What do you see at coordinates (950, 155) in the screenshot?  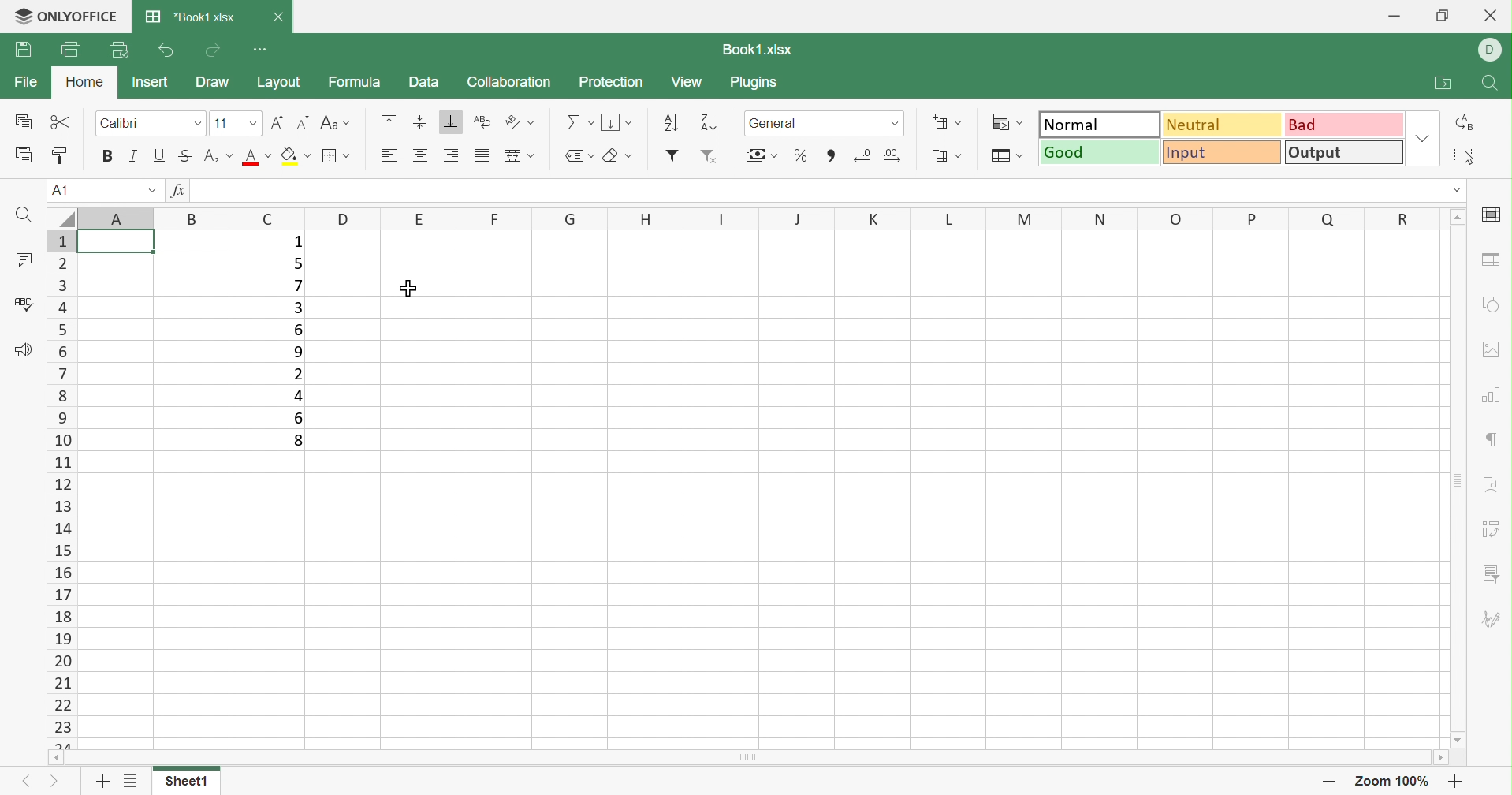 I see `Delete cells` at bounding box center [950, 155].